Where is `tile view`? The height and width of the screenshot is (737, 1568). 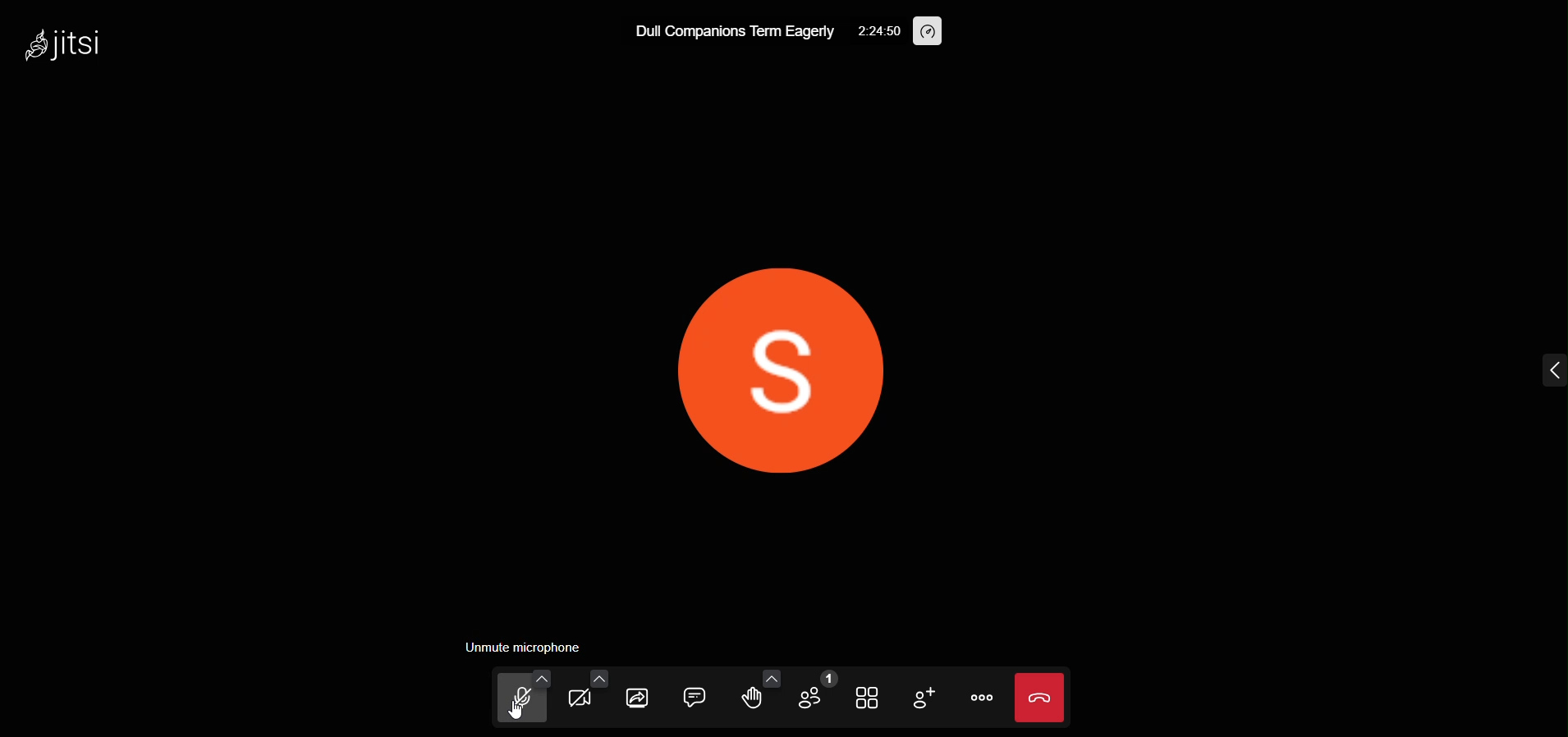 tile view is located at coordinates (861, 698).